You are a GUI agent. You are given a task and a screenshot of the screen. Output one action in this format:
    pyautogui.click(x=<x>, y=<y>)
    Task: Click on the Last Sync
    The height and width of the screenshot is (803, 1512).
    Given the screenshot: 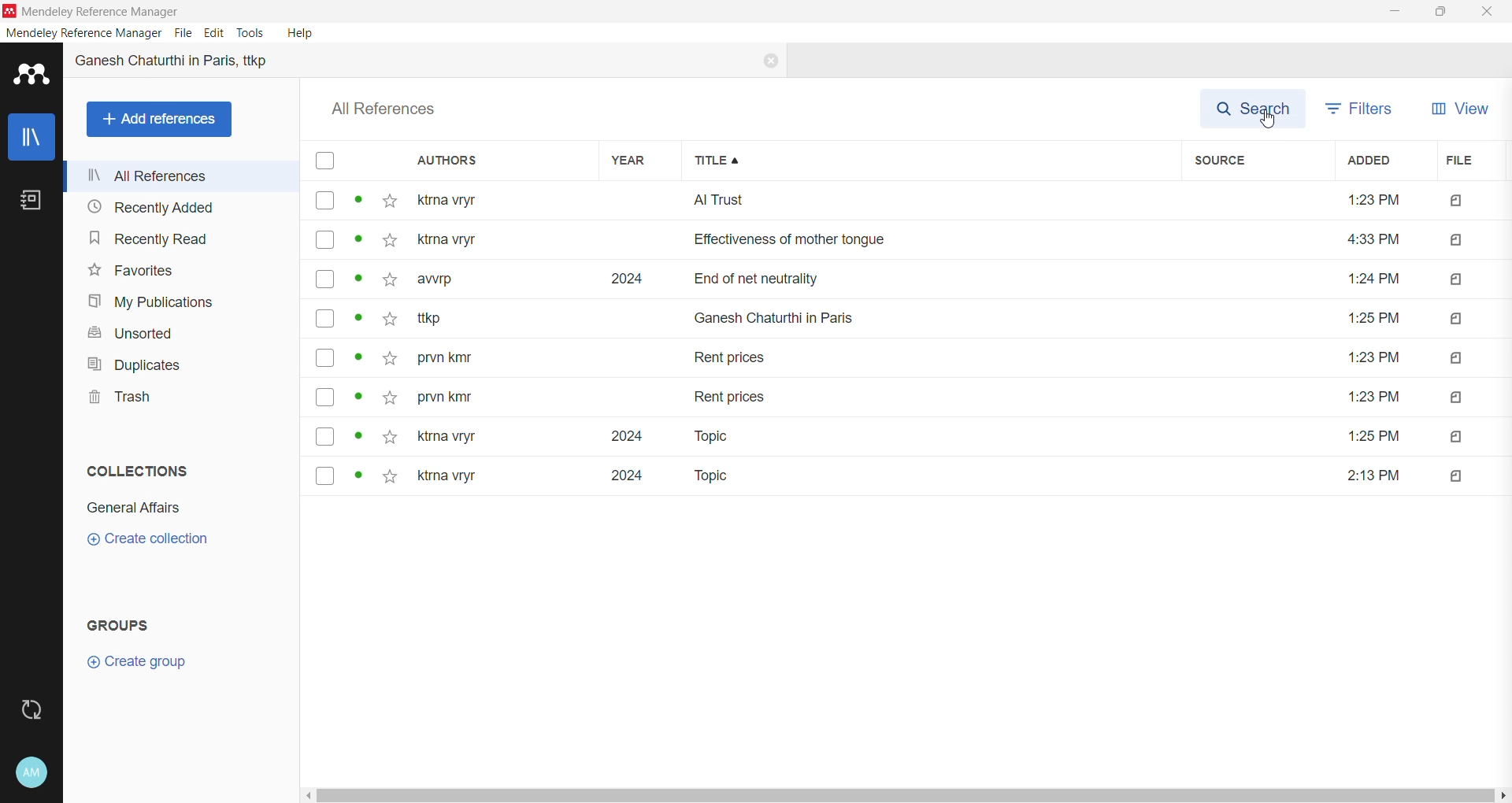 What is the action you would take?
    pyautogui.click(x=31, y=711)
    